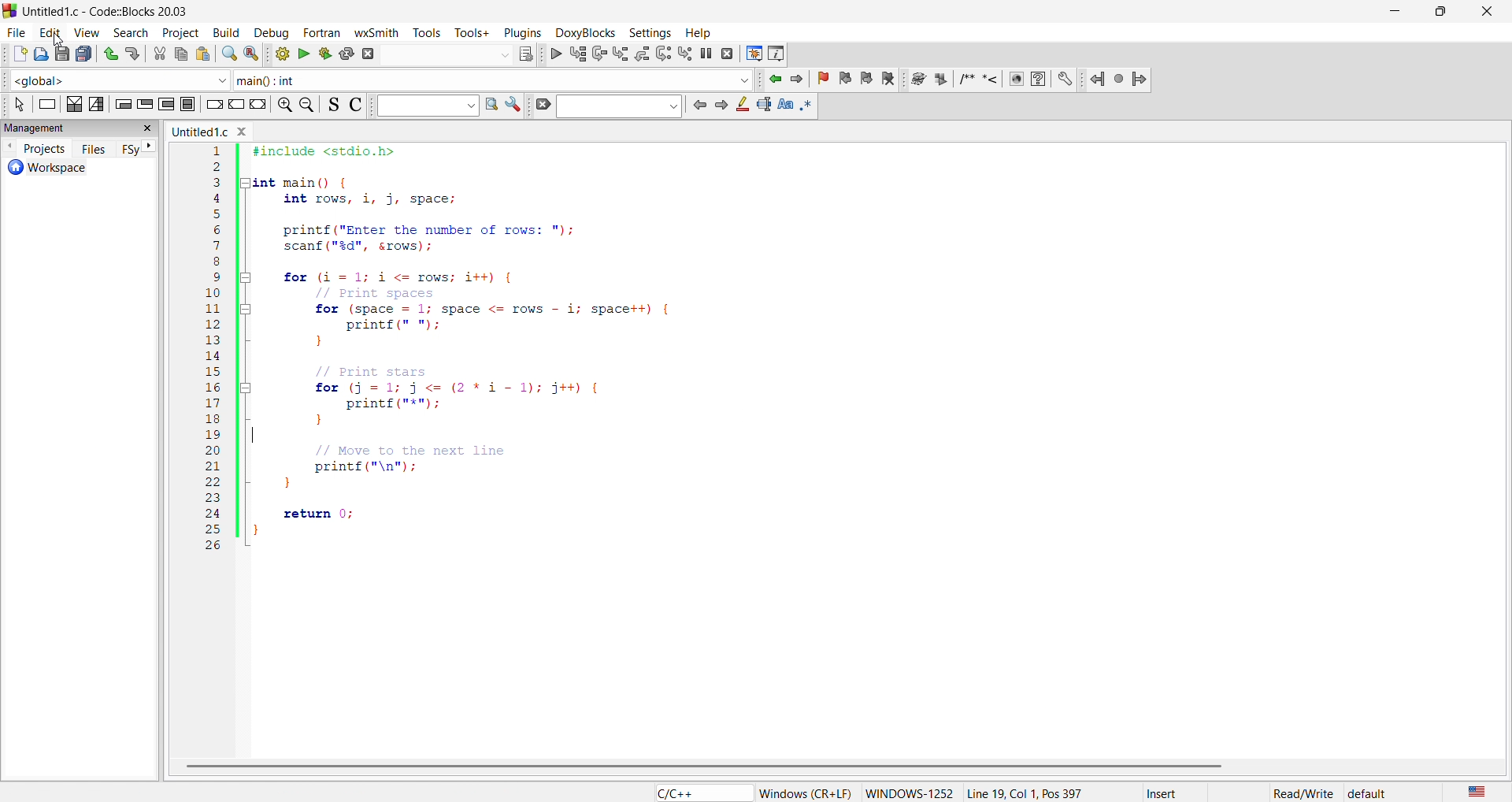  Describe the element at coordinates (663, 52) in the screenshot. I see `next instruction` at that location.